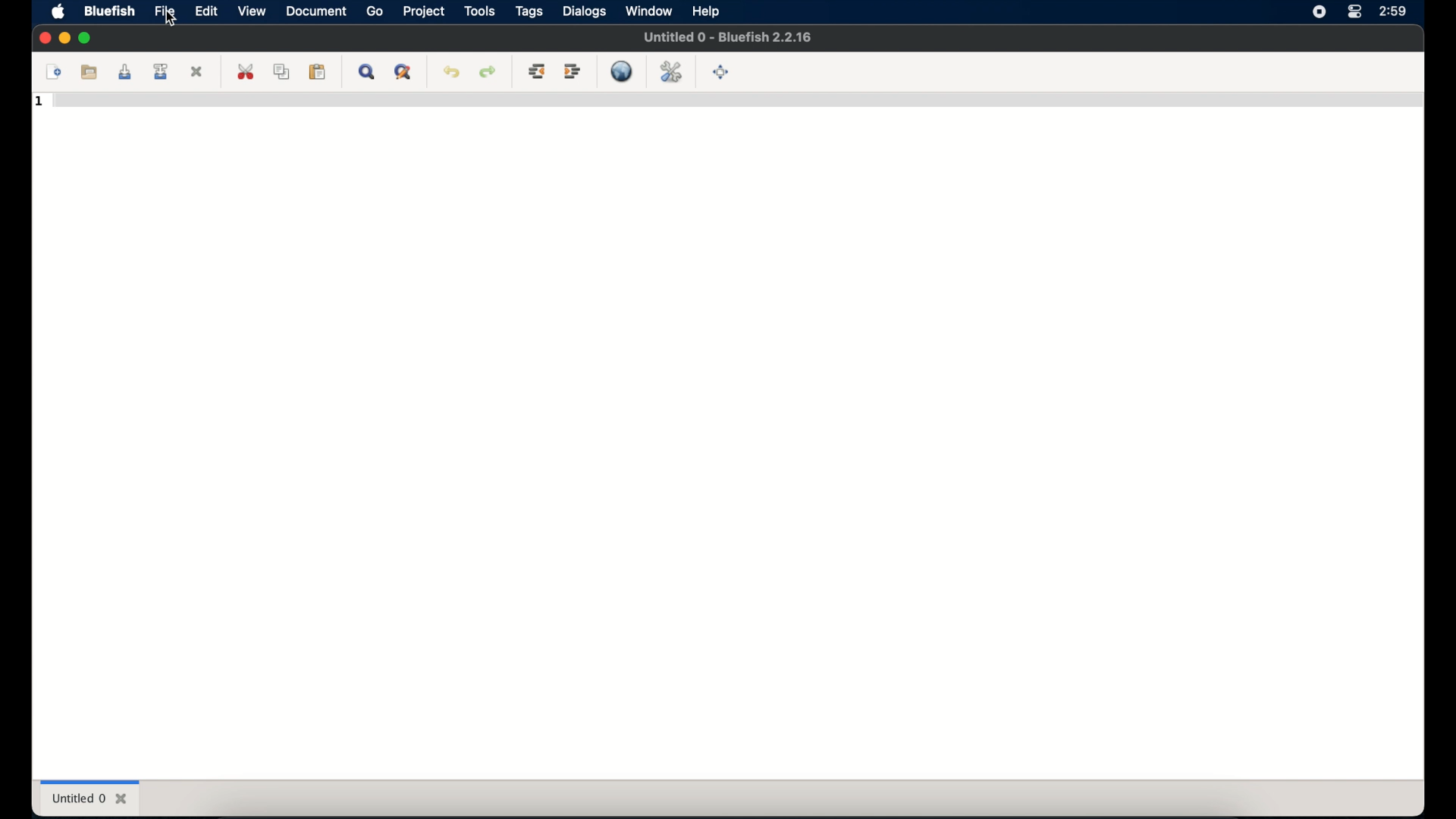  What do you see at coordinates (479, 11) in the screenshot?
I see `tools` at bounding box center [479, 11].